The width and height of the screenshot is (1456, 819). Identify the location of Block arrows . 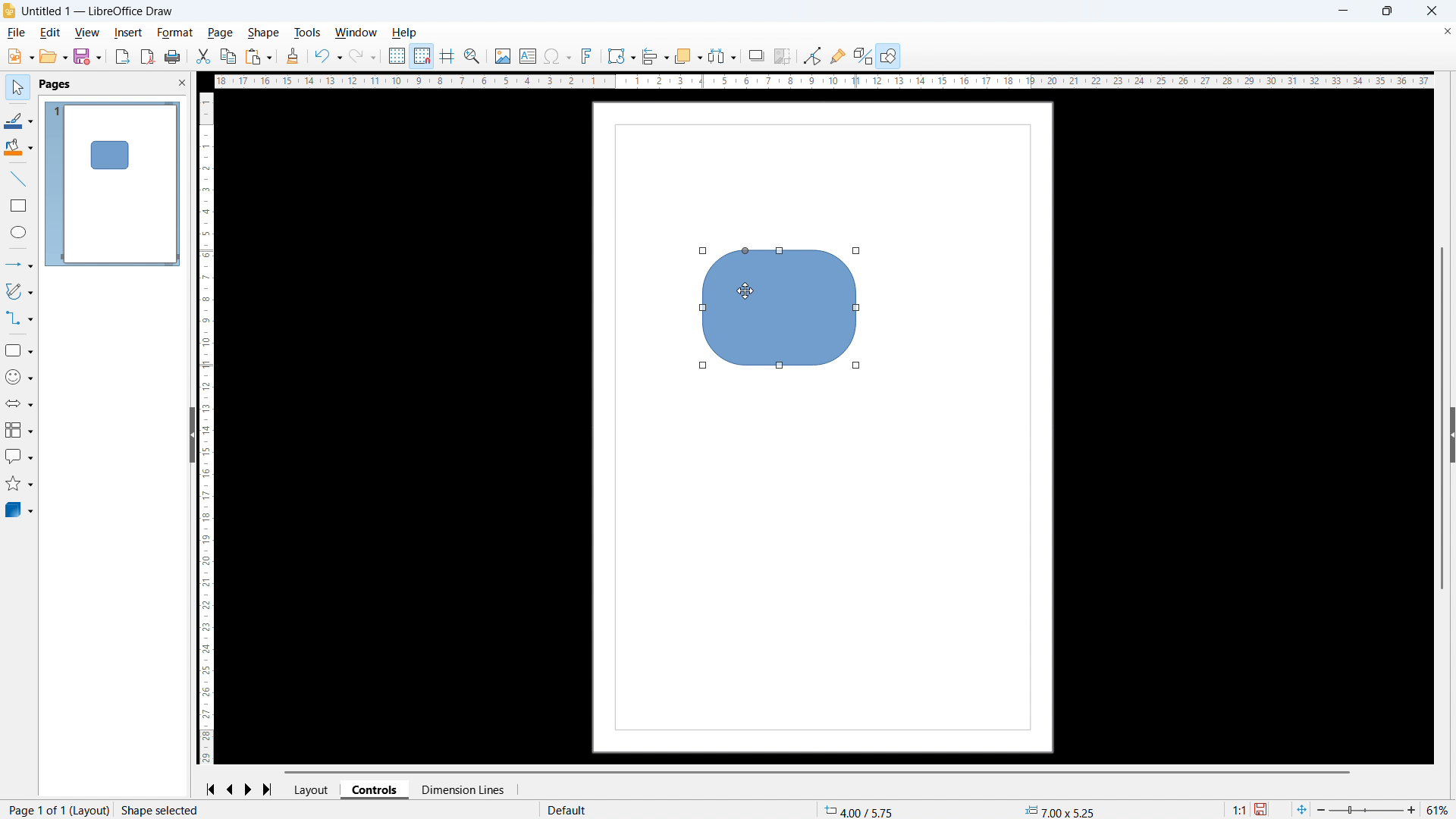
(19, 404).